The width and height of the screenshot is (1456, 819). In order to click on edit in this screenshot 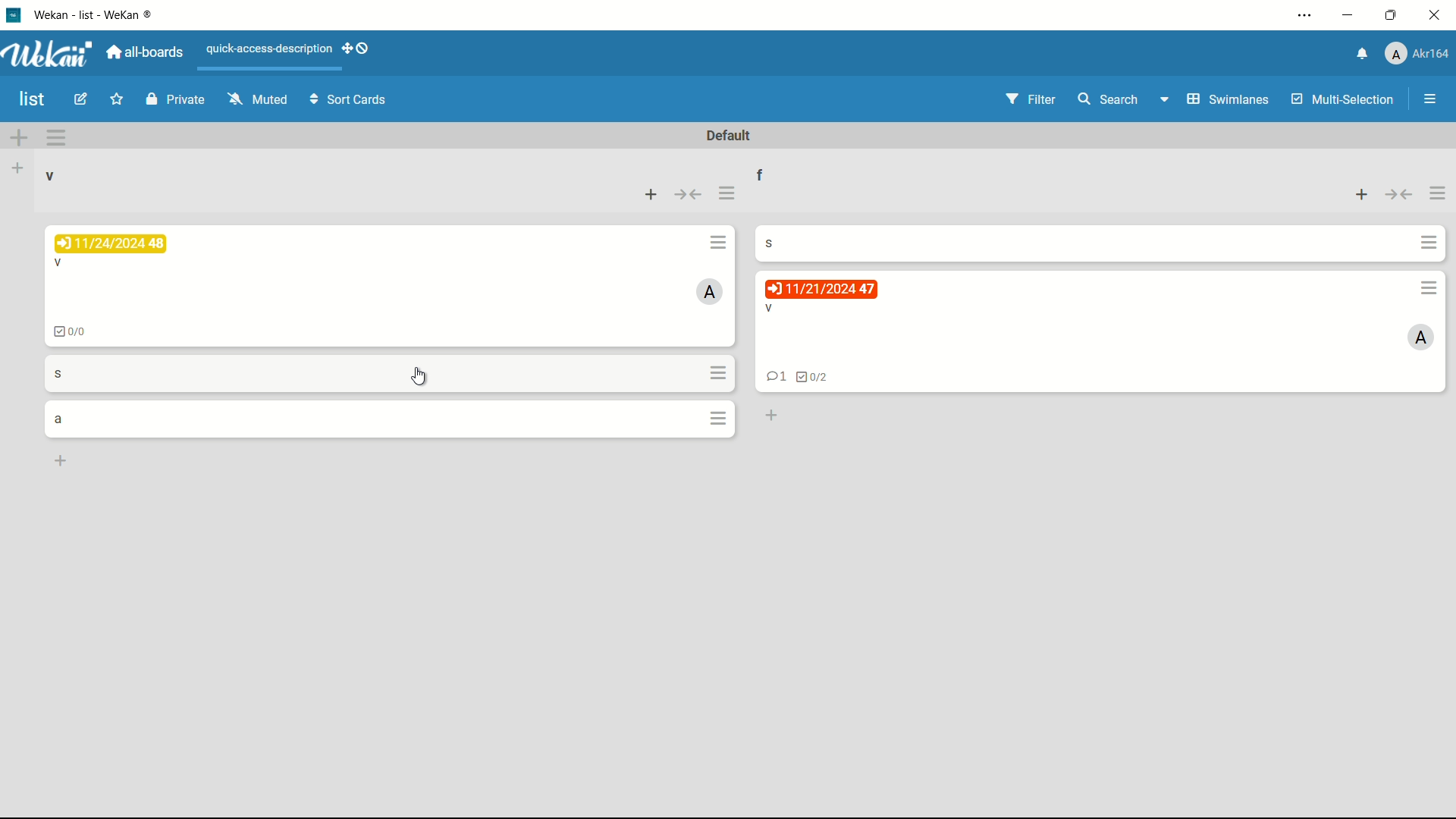, I will do `click(80, 100)`.